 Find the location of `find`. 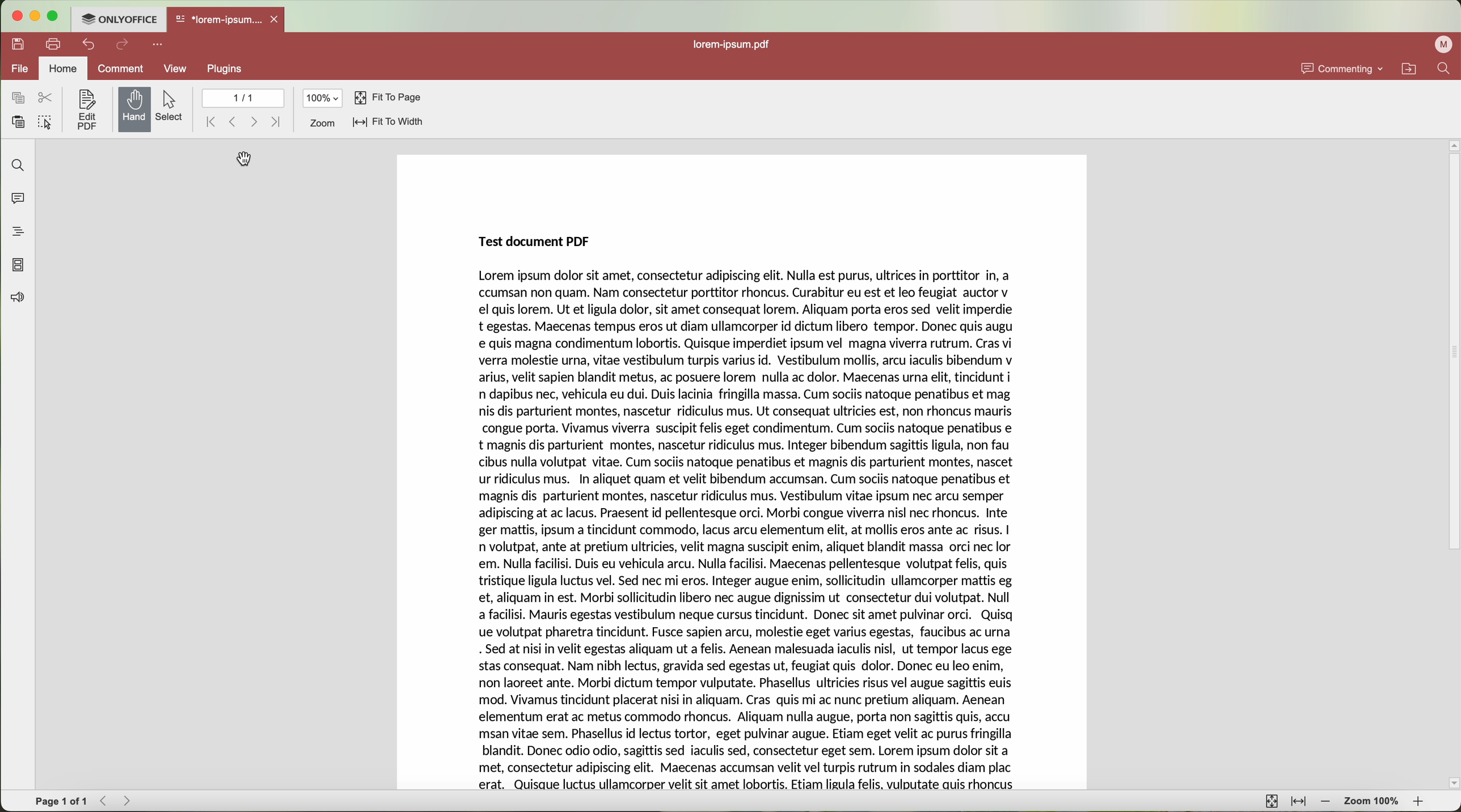

find is located at coordinates (1447, 69).